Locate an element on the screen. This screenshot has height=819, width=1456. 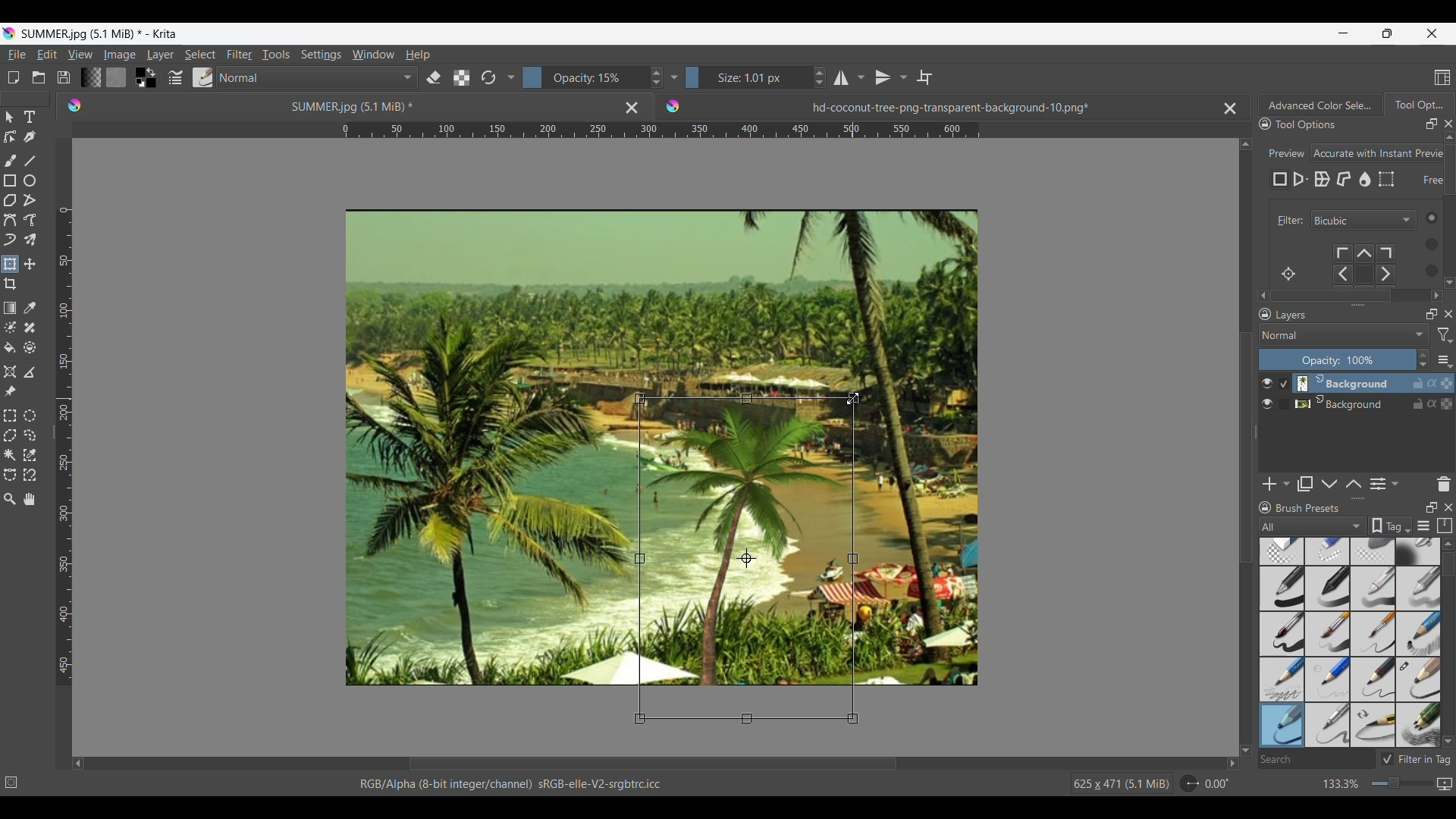
RGB/Alpha (8-bit integer/channel) sRGB-elle-V2-srgbtrc.icc is located at coordinates (518, 784).